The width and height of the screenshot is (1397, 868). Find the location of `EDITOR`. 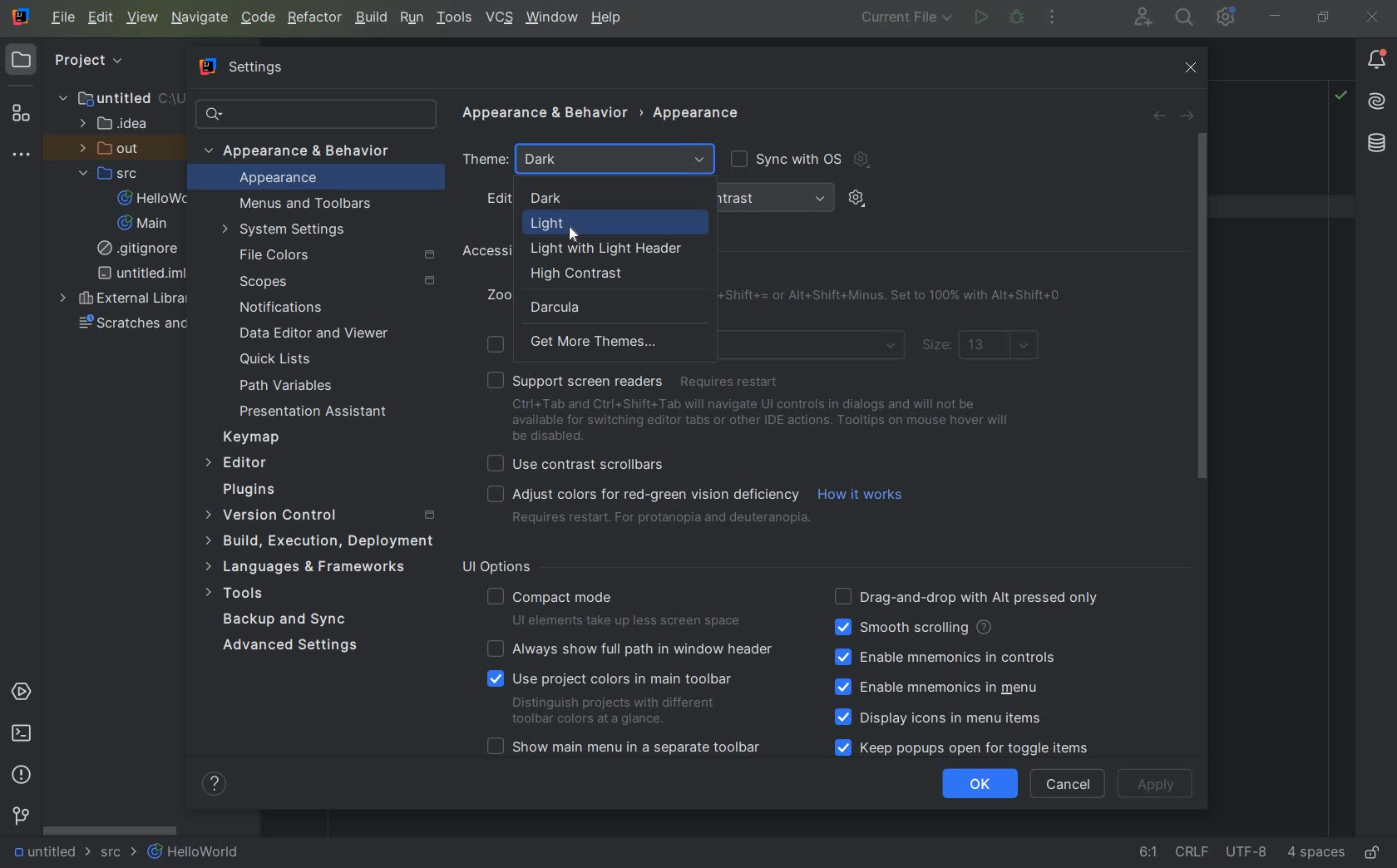

EDITOR is located at coordinates (239, 464).